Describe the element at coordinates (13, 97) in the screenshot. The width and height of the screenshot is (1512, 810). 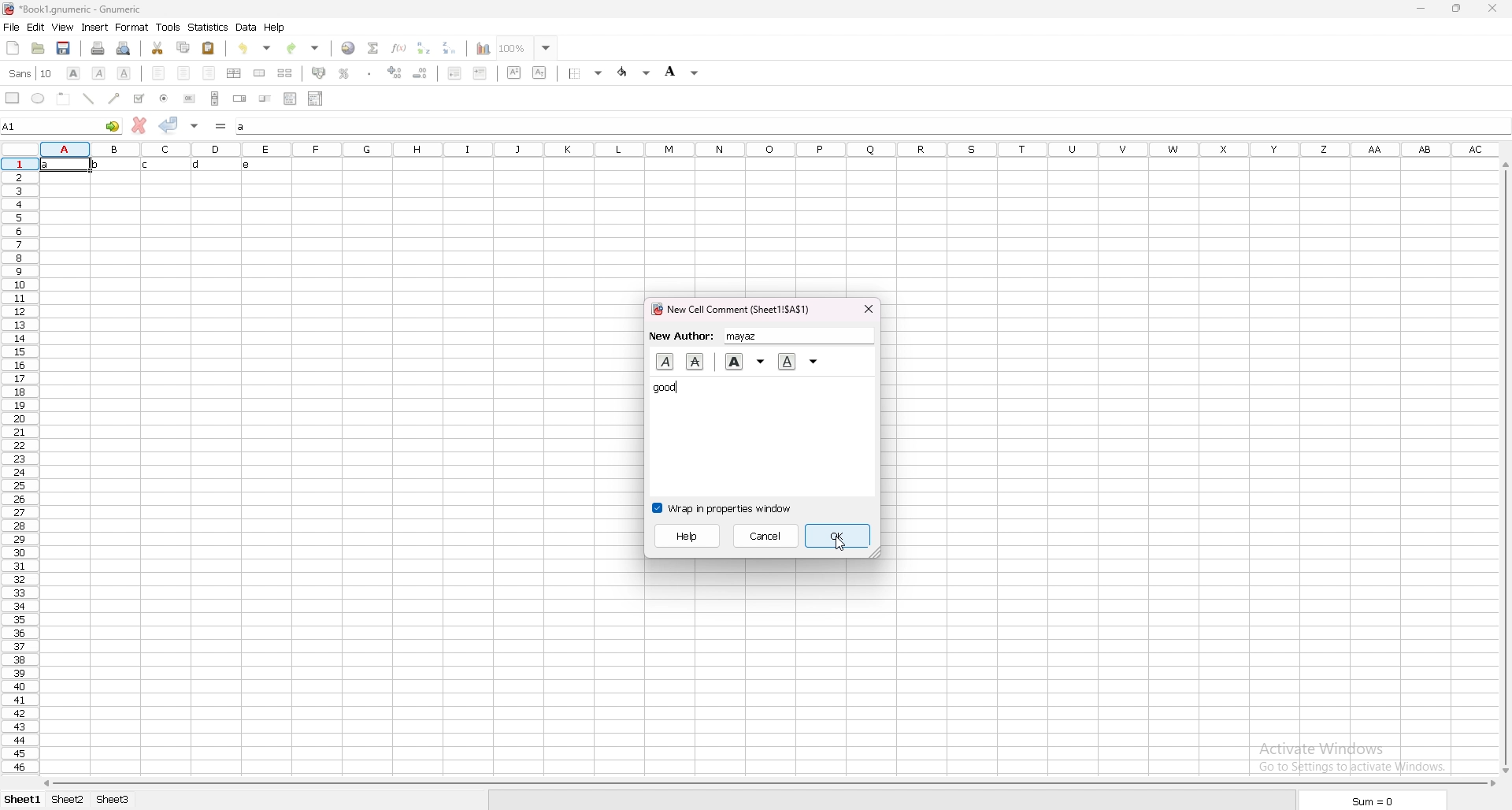
I see `rectangle` at that location.